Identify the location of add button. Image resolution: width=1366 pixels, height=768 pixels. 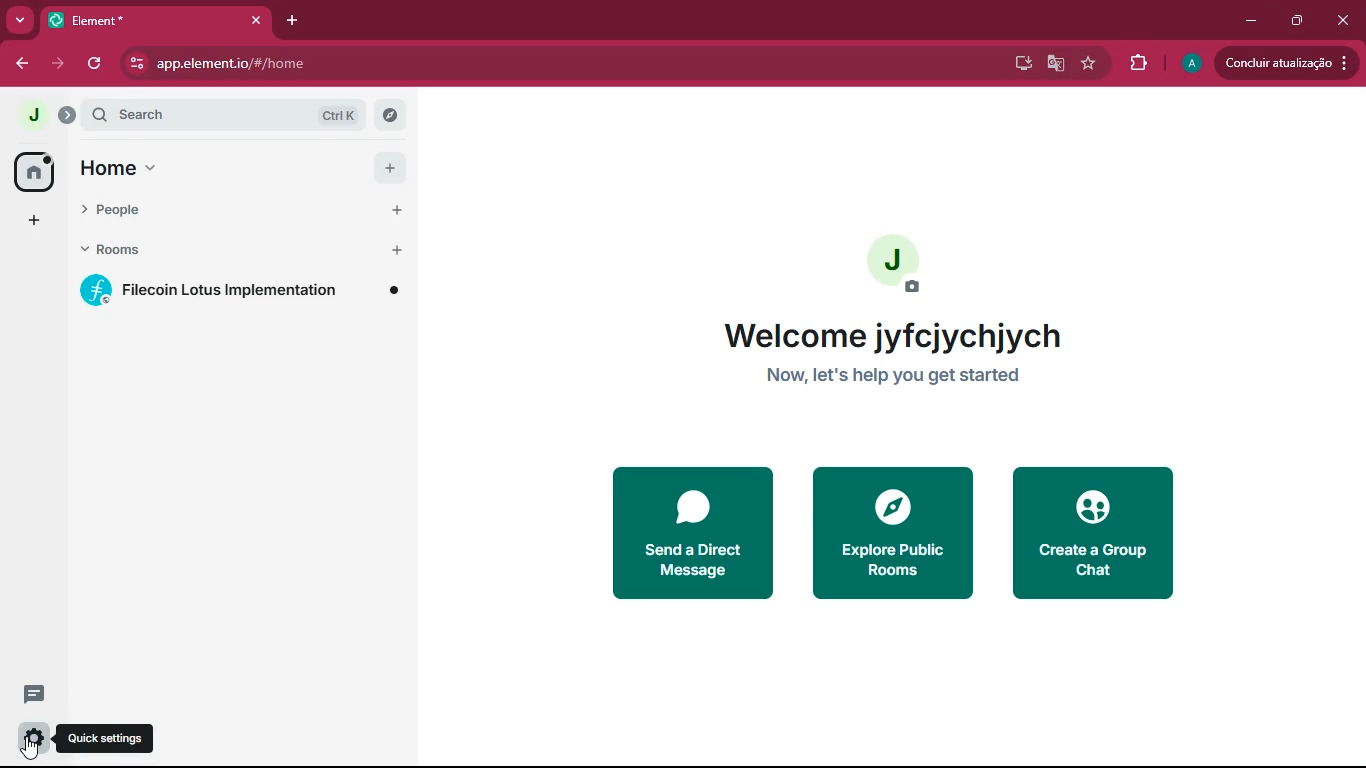
(390, 165).